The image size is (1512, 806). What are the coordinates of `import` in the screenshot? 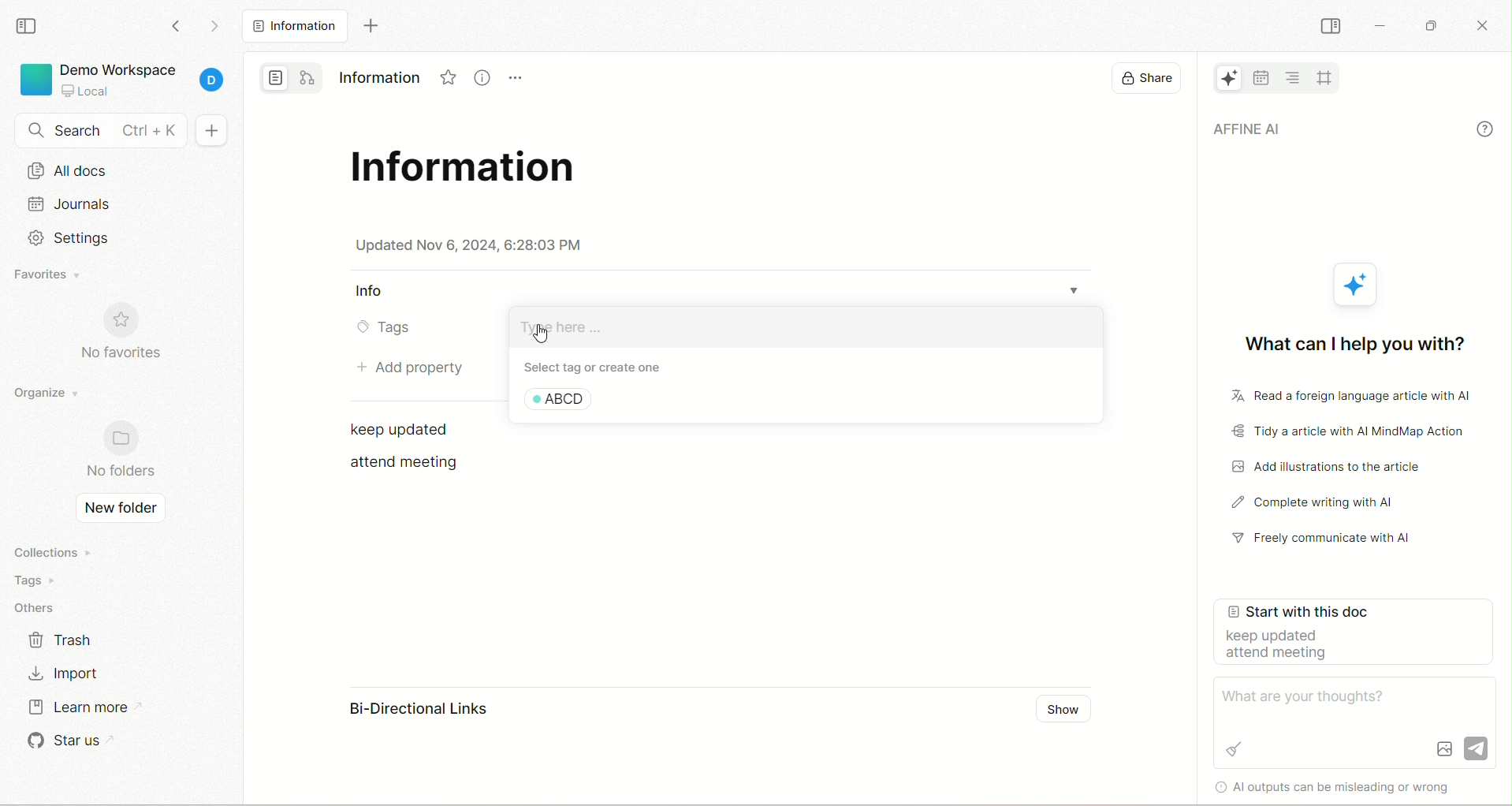 It's located at (70, 671).